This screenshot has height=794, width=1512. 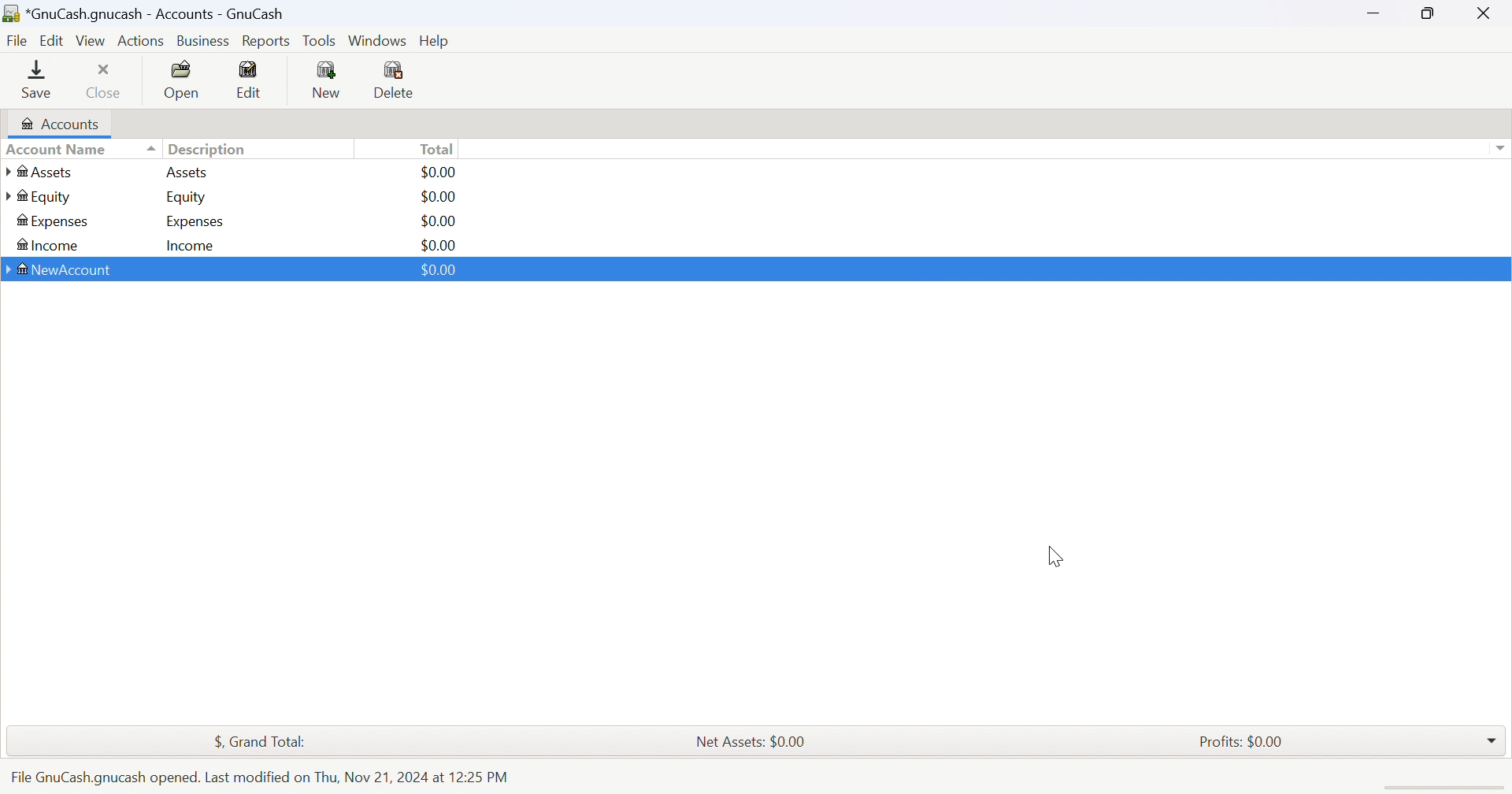 What do you see at coordinates (1430, 12) in the screenshot?
I see `Restore Down` at bounding box center [1430, 12].